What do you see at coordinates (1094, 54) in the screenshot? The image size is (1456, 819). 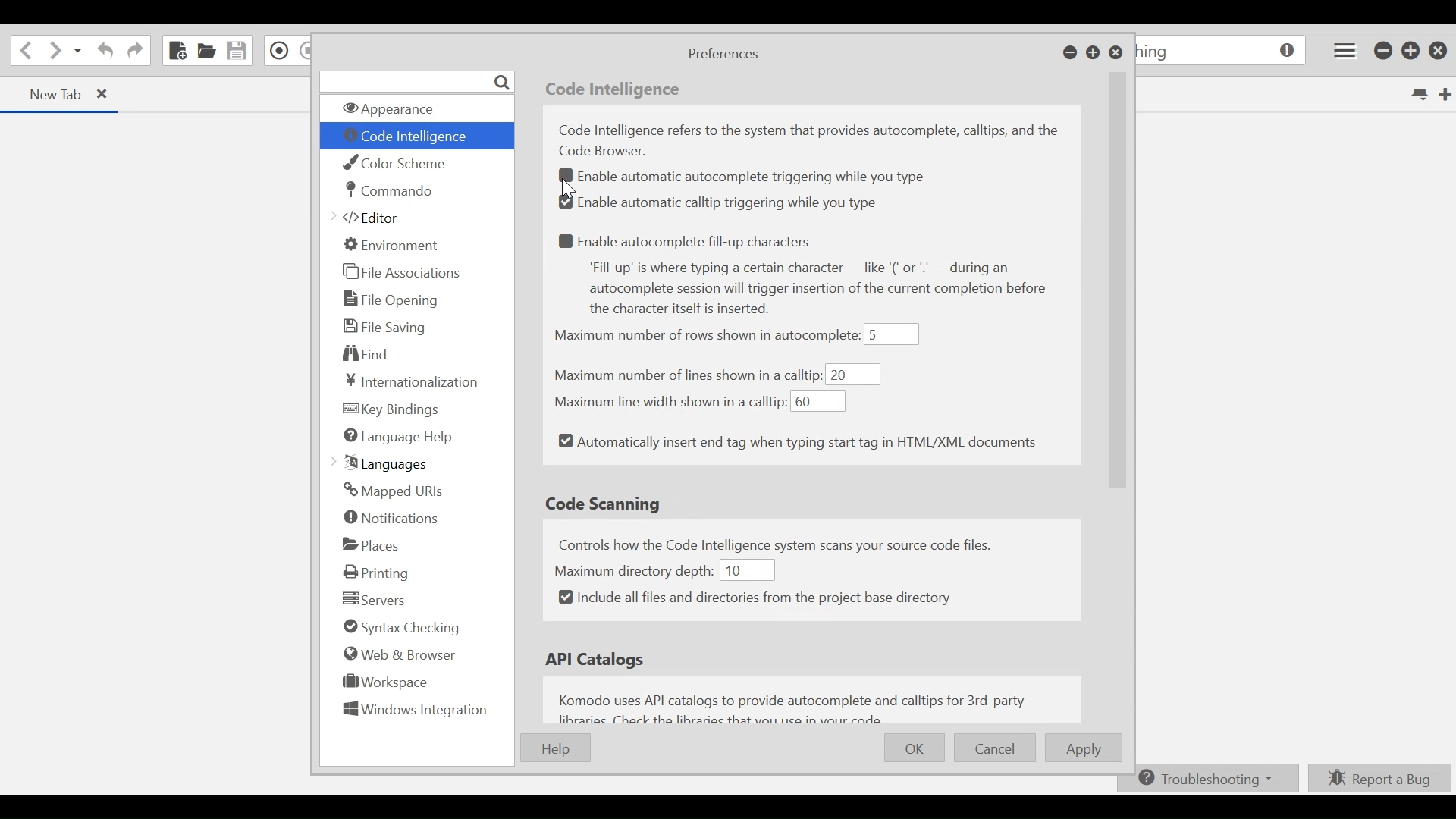 I see `Restore` at bounding box center [1094, 54].